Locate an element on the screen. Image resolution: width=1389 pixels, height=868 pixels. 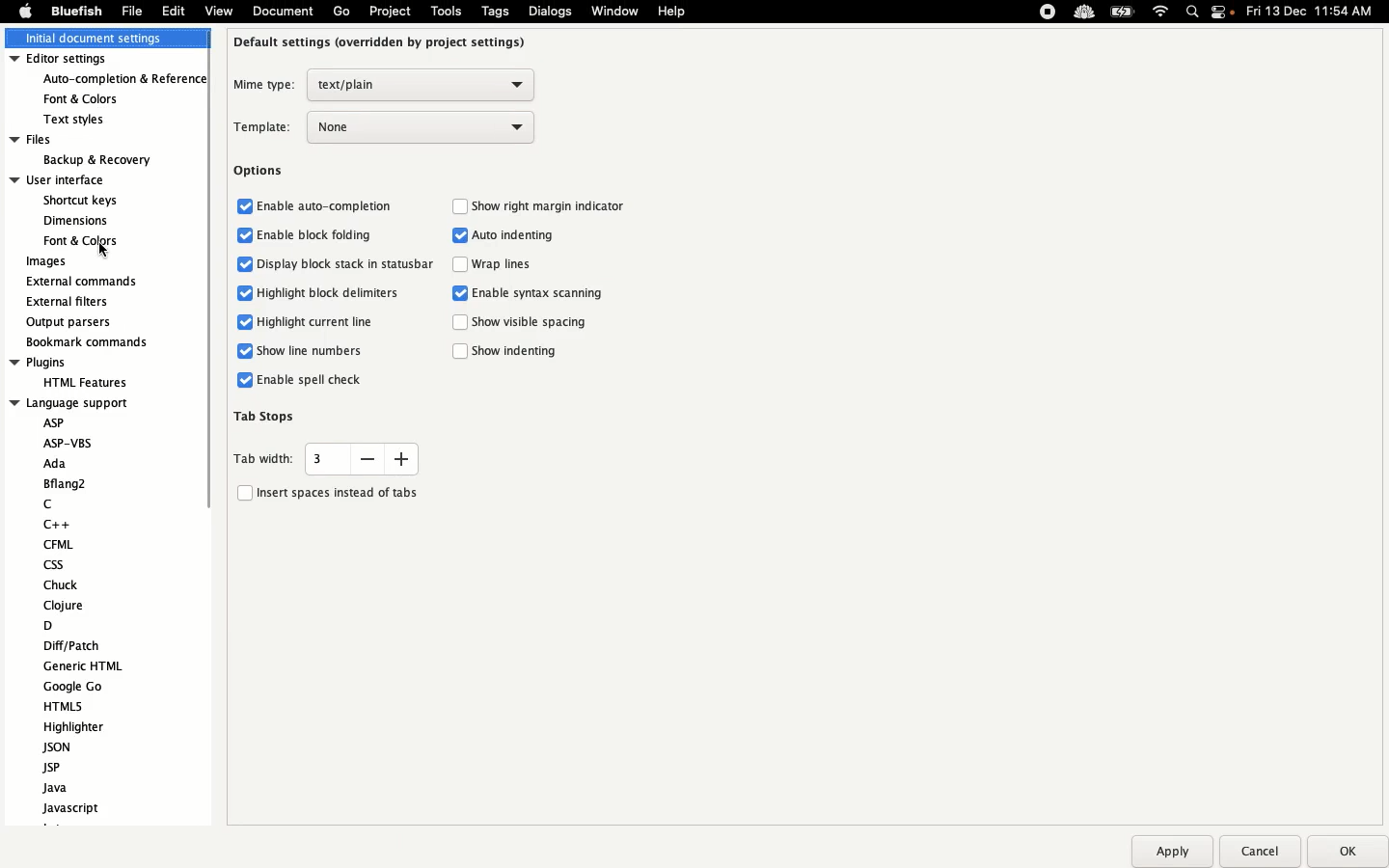
fonts & colors is located at coordinates (95, 97).